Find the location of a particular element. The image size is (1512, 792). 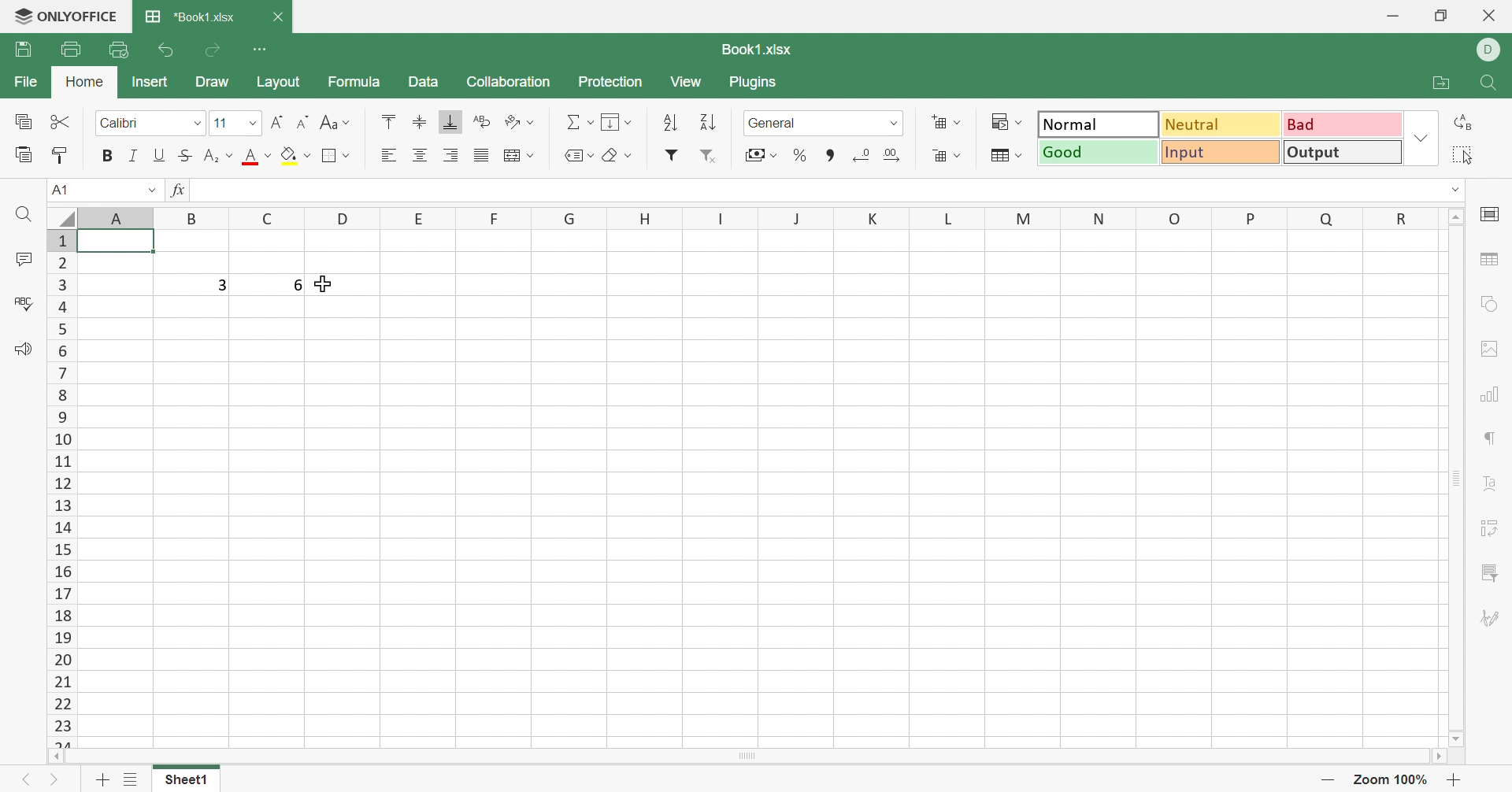

Normal is located at coordinates (1099, 126).